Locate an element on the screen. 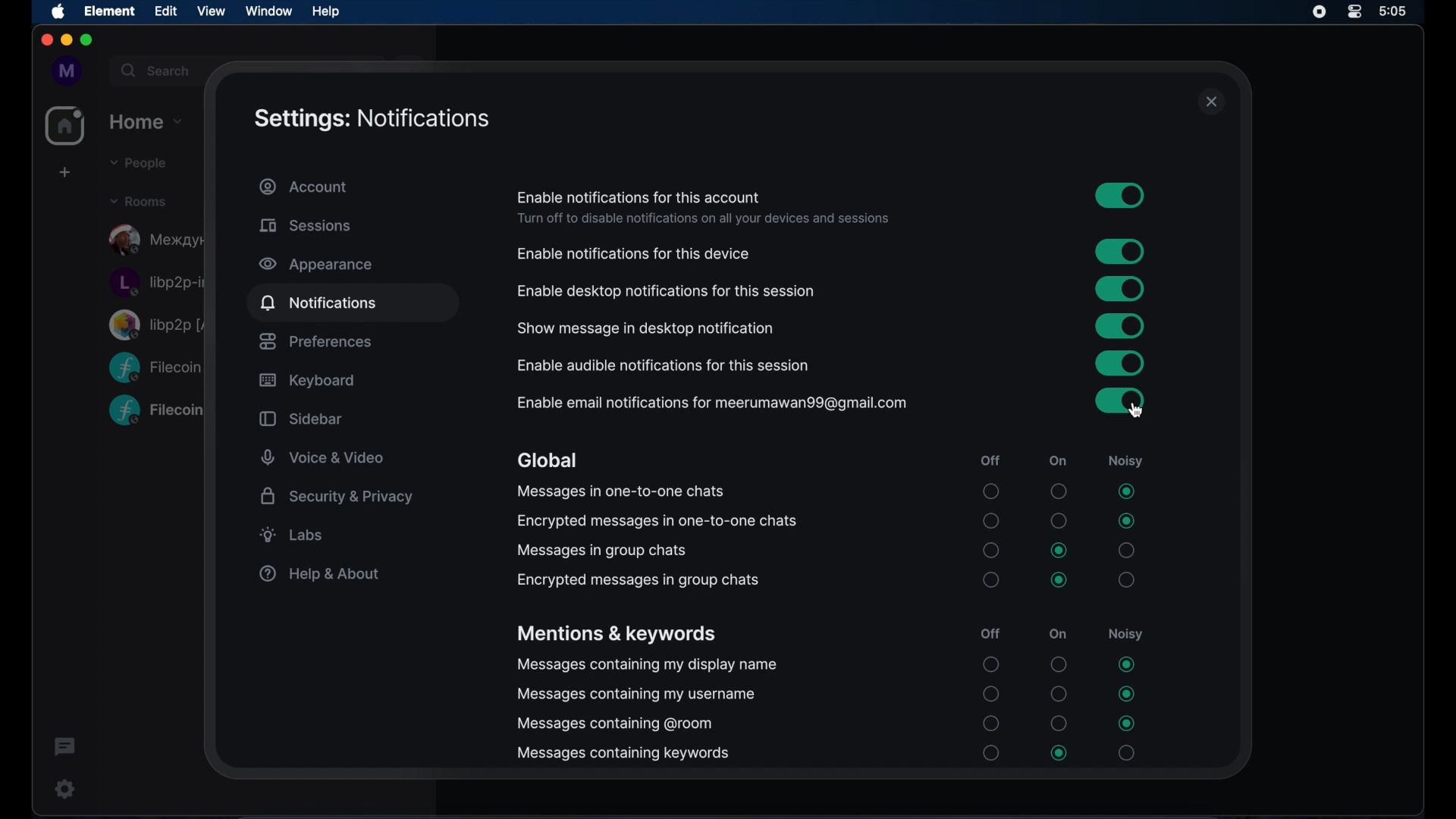  home is located at coordinates (147, 120).